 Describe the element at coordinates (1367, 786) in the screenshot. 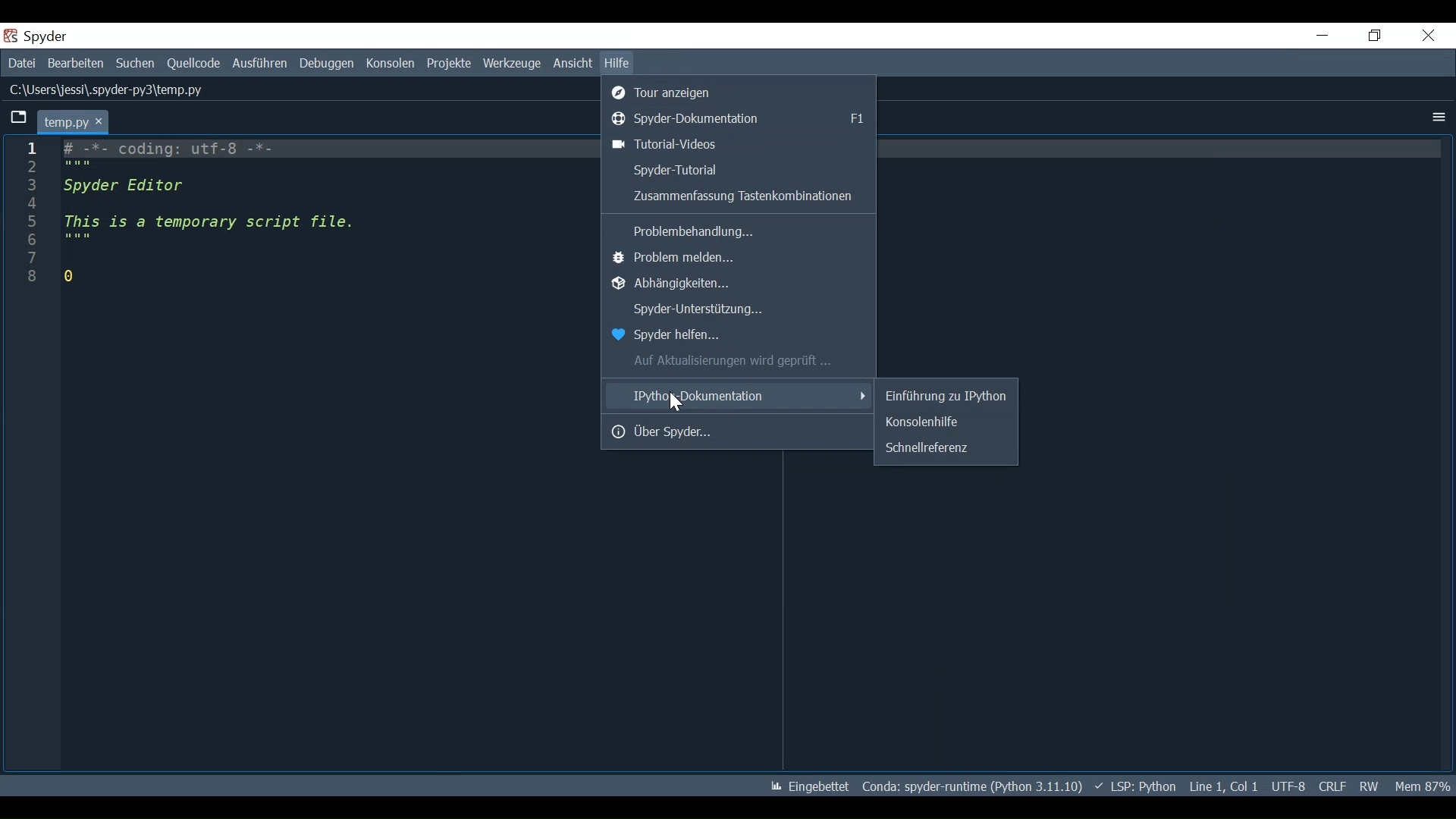

I see `RW` at that location.